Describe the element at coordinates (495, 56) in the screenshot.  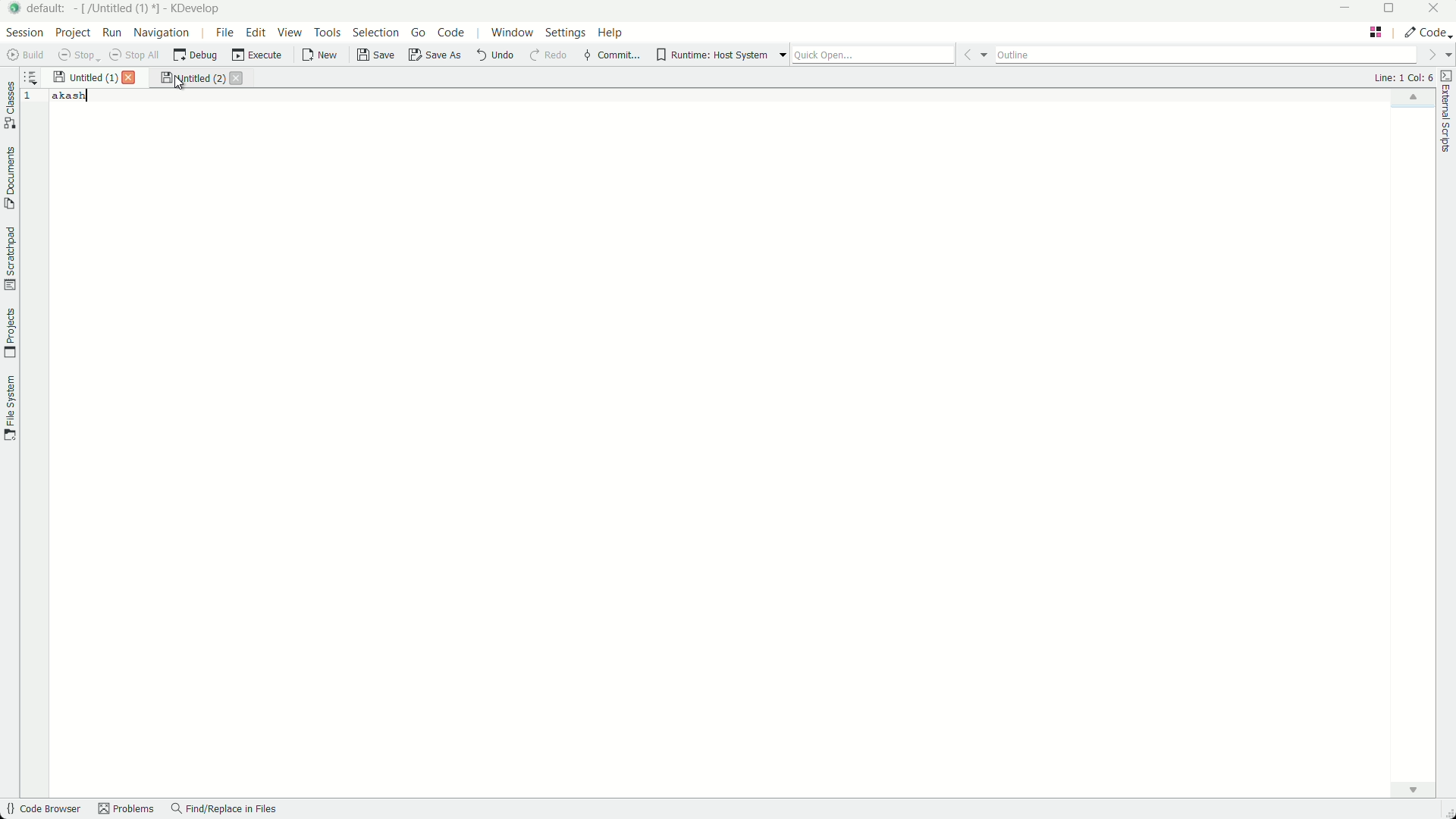
I see `undo` at that location.